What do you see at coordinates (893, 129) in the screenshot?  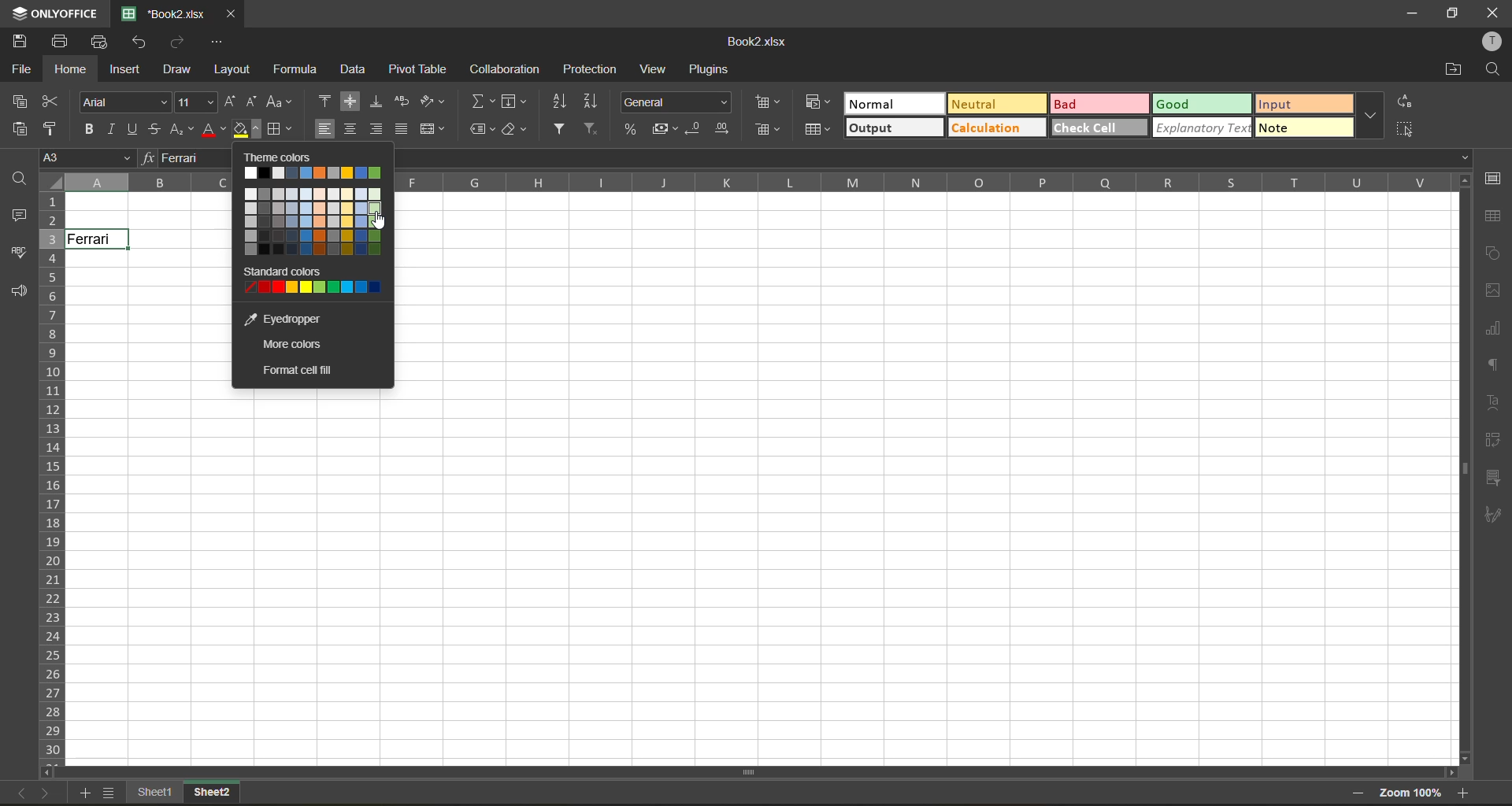 I see `output` at bounding box center [893, 129].